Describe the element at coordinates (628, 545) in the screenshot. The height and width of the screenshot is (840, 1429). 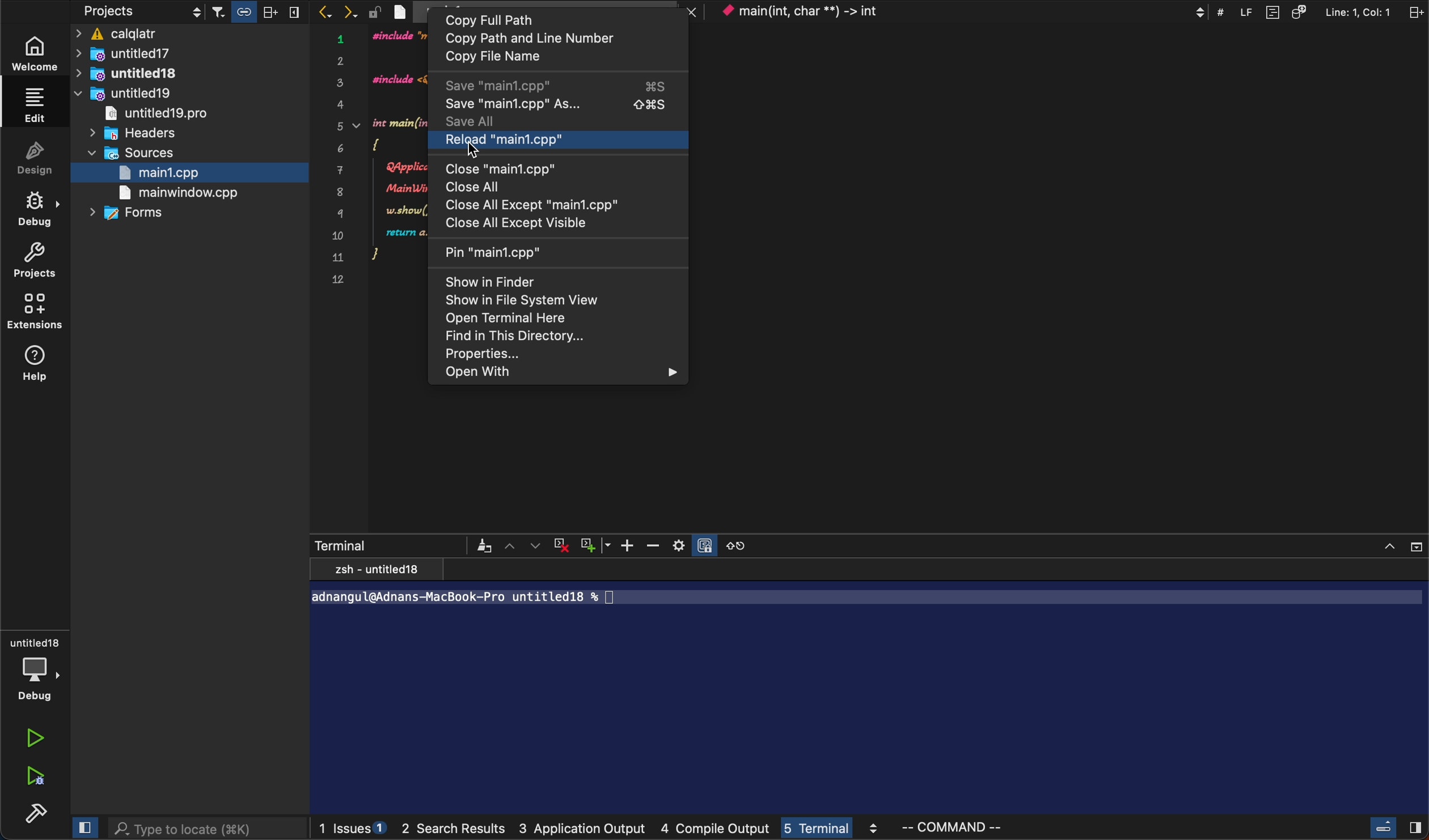
I see `zoom in` at that location.